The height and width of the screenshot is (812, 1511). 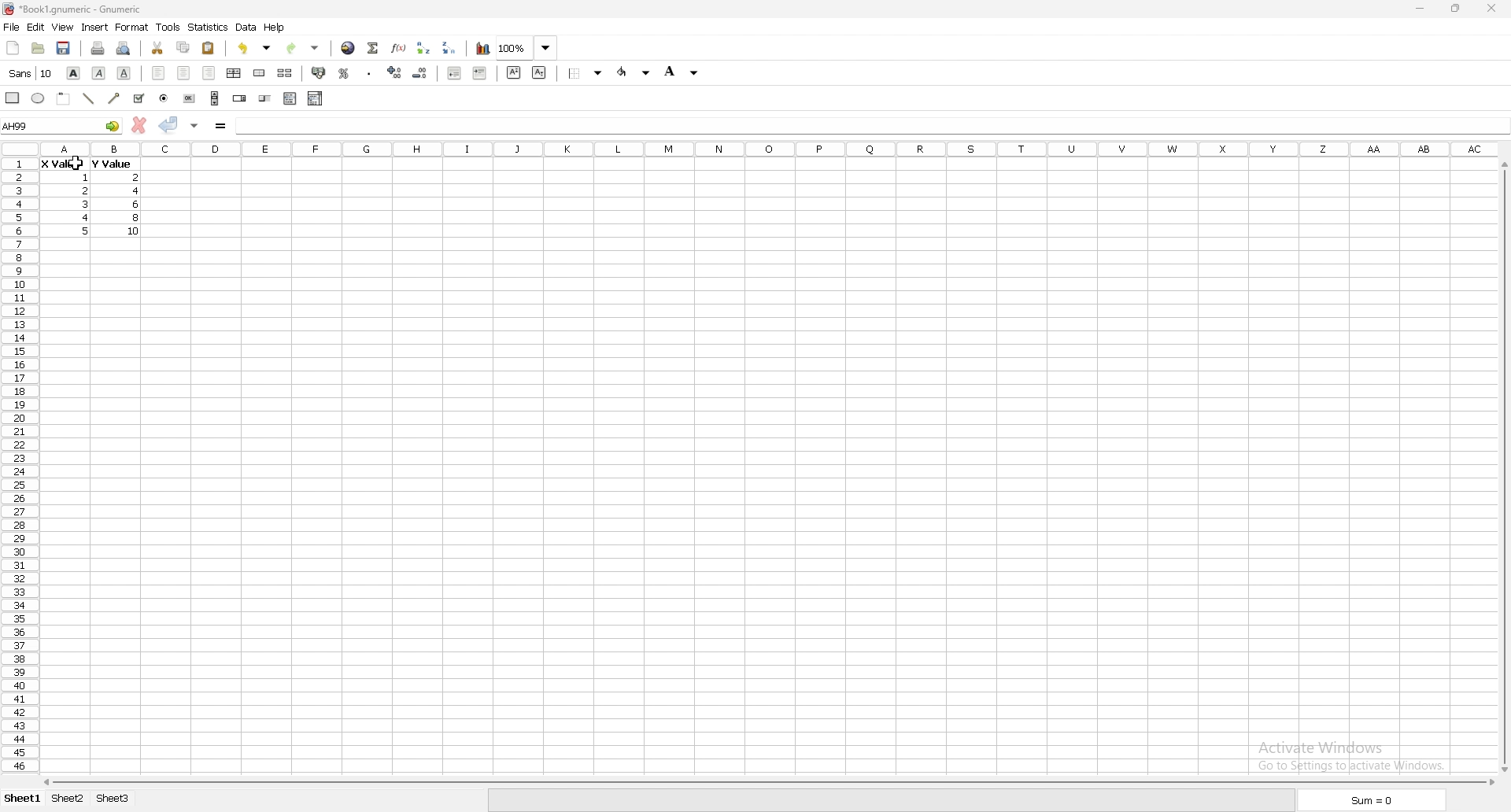 What do you see at coordinates (140, 125) in the screenshot?
I see `cancel change` at bounding box center [140, 125].